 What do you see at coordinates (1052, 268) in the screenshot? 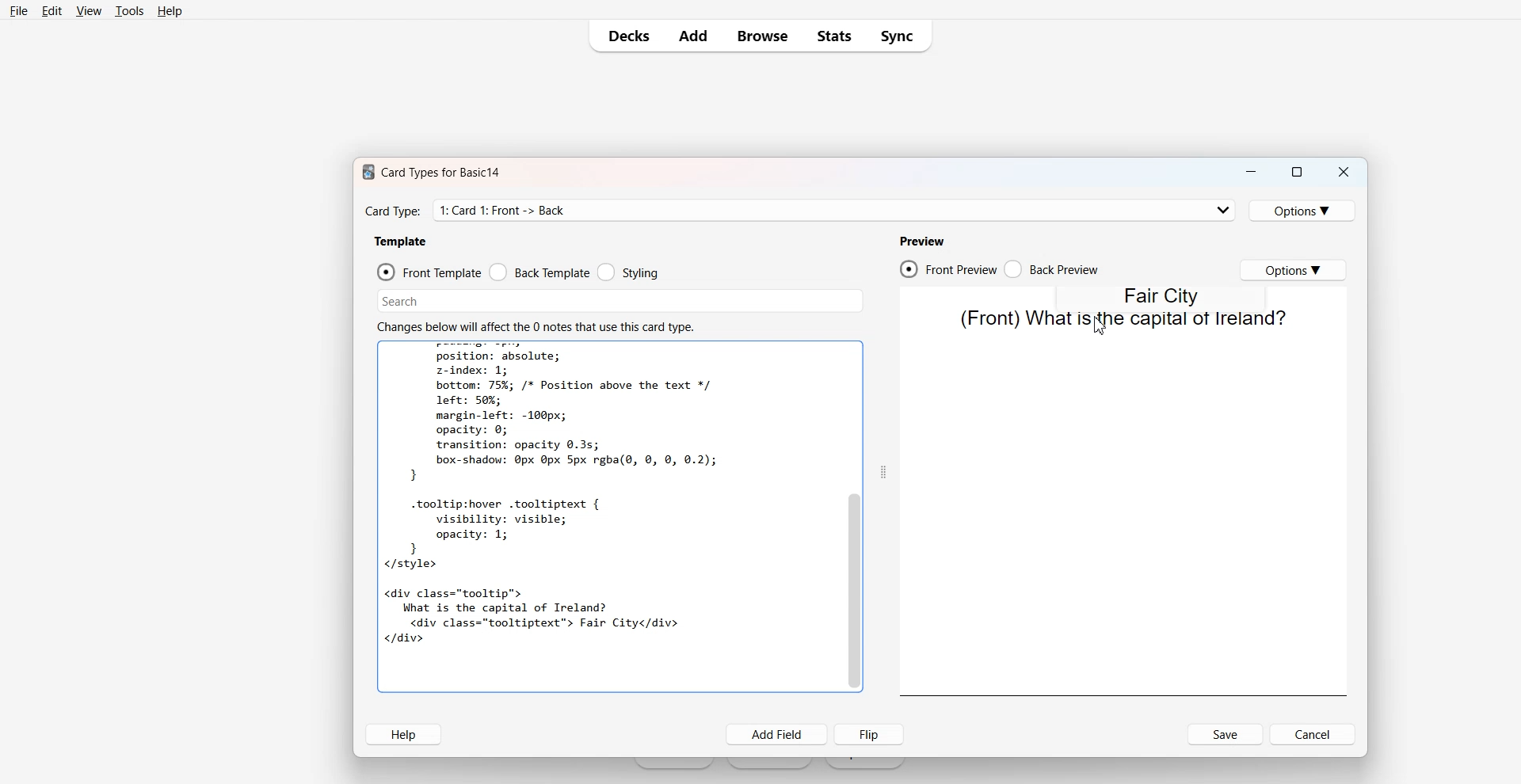
I see `Back Preview` at bounding box center [1052, 268].